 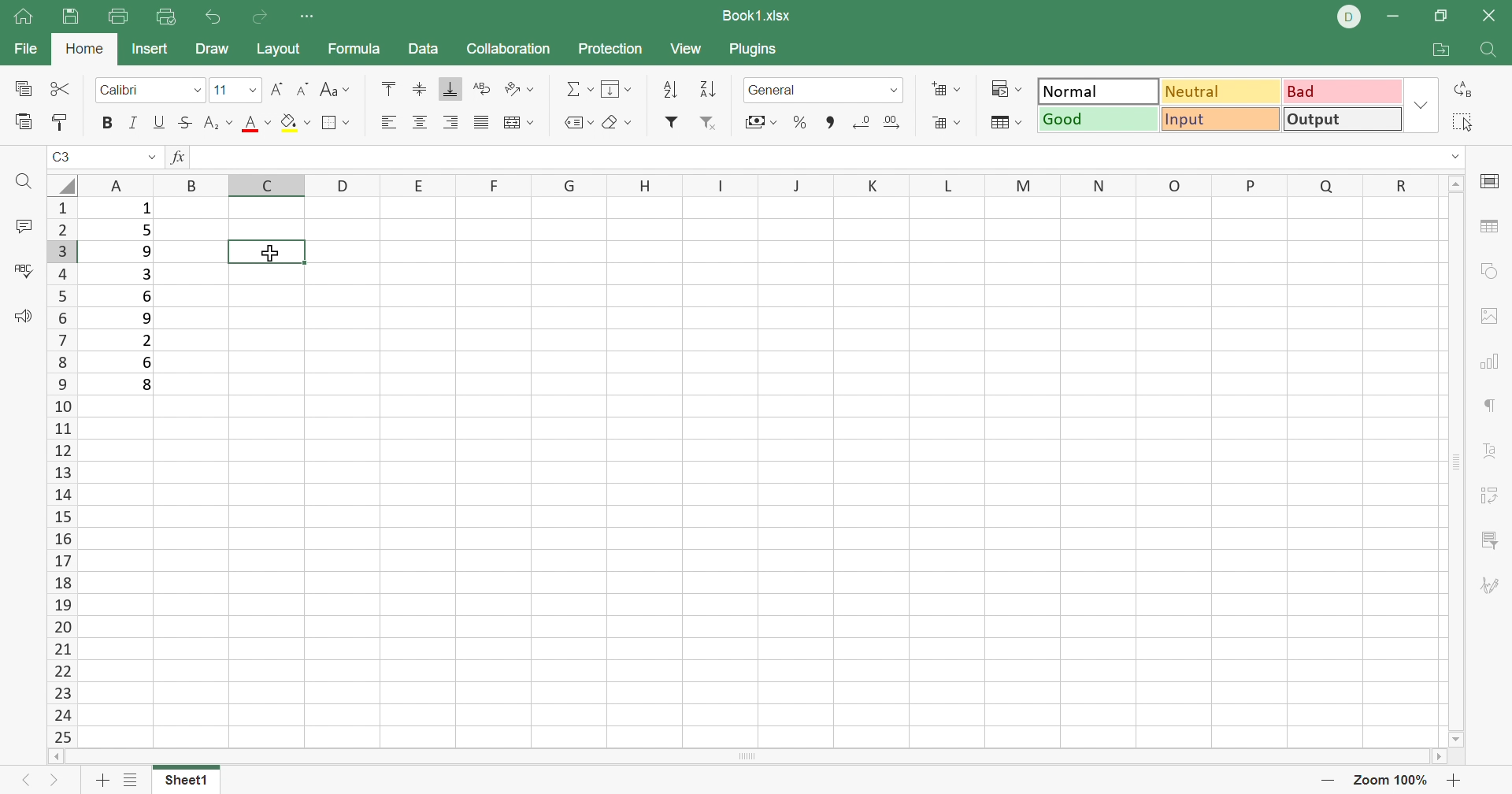 What do you see at coordinates (108, 123) in the screenshot?
I see `Bold` at bounding box center [108, 123].